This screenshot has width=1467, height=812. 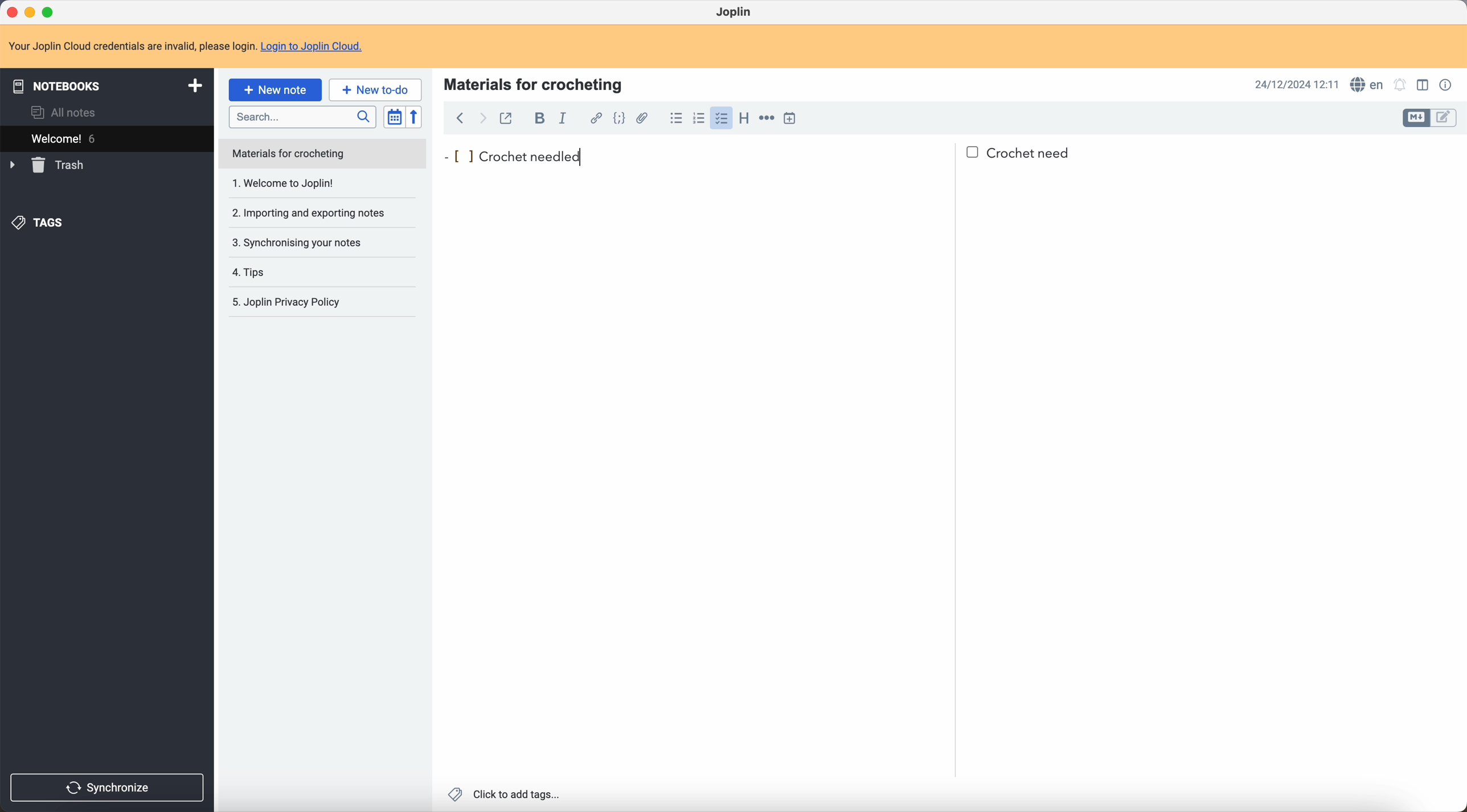 What do you see at coordinates (106, 137) in the screenshot?
I see `welcome` at bounding box center [106, 137].